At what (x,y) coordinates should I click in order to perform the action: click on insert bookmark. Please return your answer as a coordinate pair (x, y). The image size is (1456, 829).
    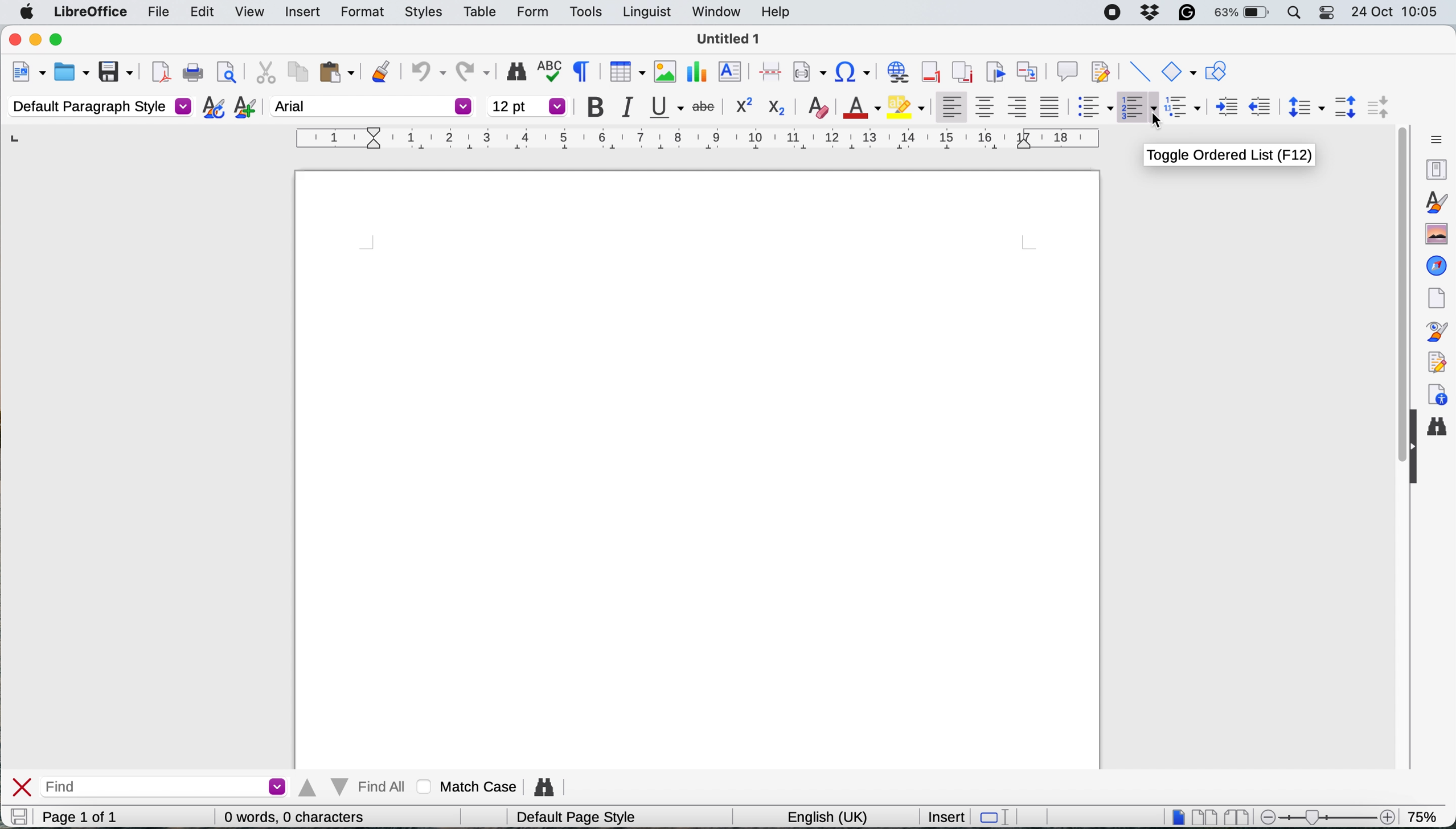
    Looking at the image, I should click on (994, 71).